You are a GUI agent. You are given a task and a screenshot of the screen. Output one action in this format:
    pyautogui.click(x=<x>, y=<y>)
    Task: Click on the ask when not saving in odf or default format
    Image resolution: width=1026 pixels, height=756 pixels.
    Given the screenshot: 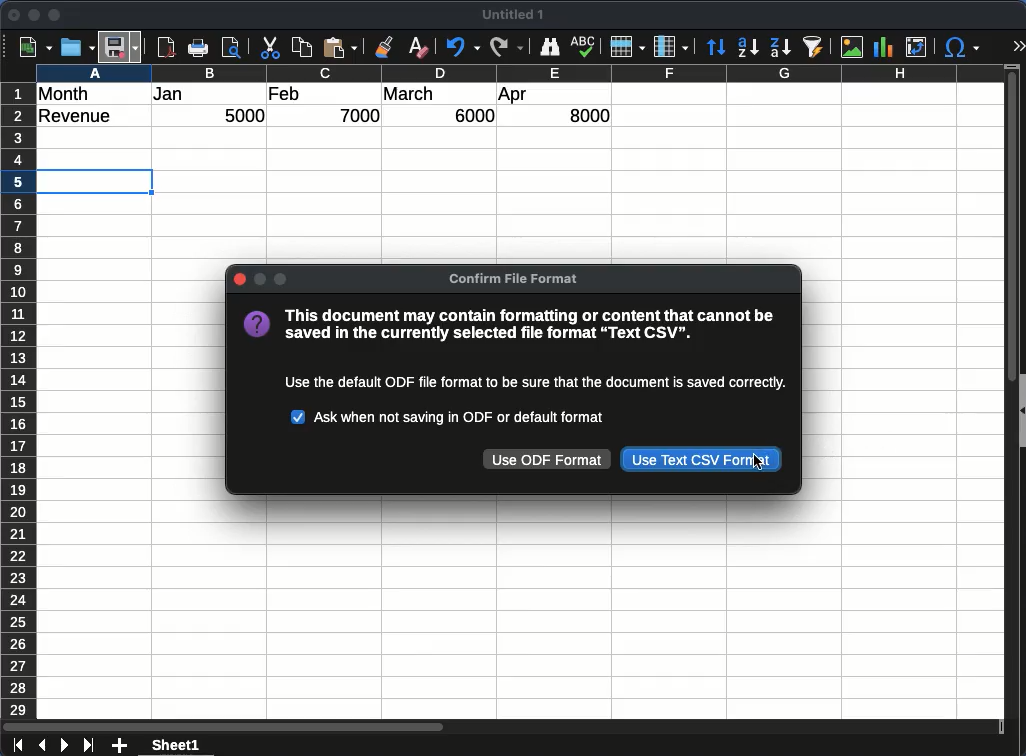 What is the action you would take?
    pyautogui.click(x=464, y=414)
    